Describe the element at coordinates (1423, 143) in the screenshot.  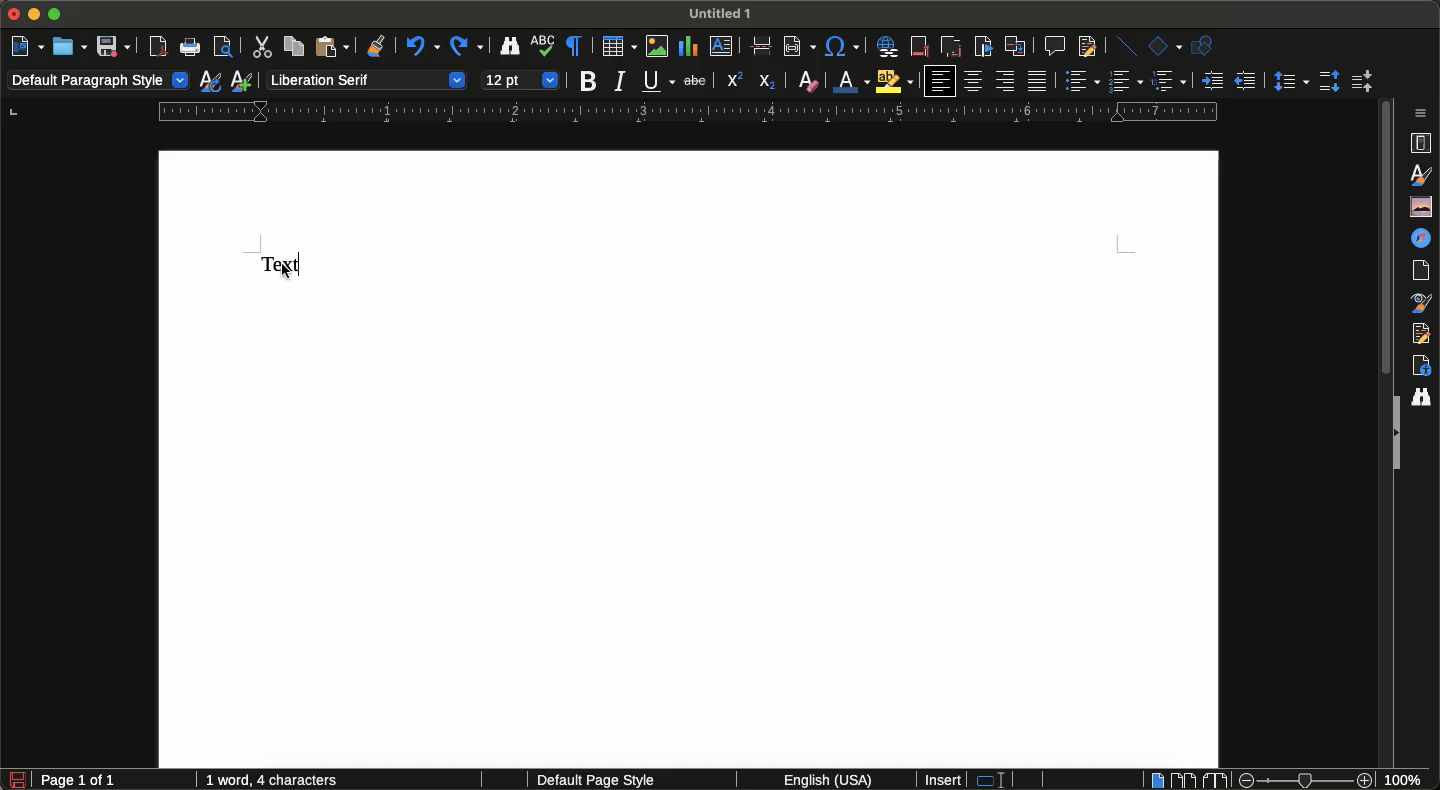
I see `Properties` at that location.